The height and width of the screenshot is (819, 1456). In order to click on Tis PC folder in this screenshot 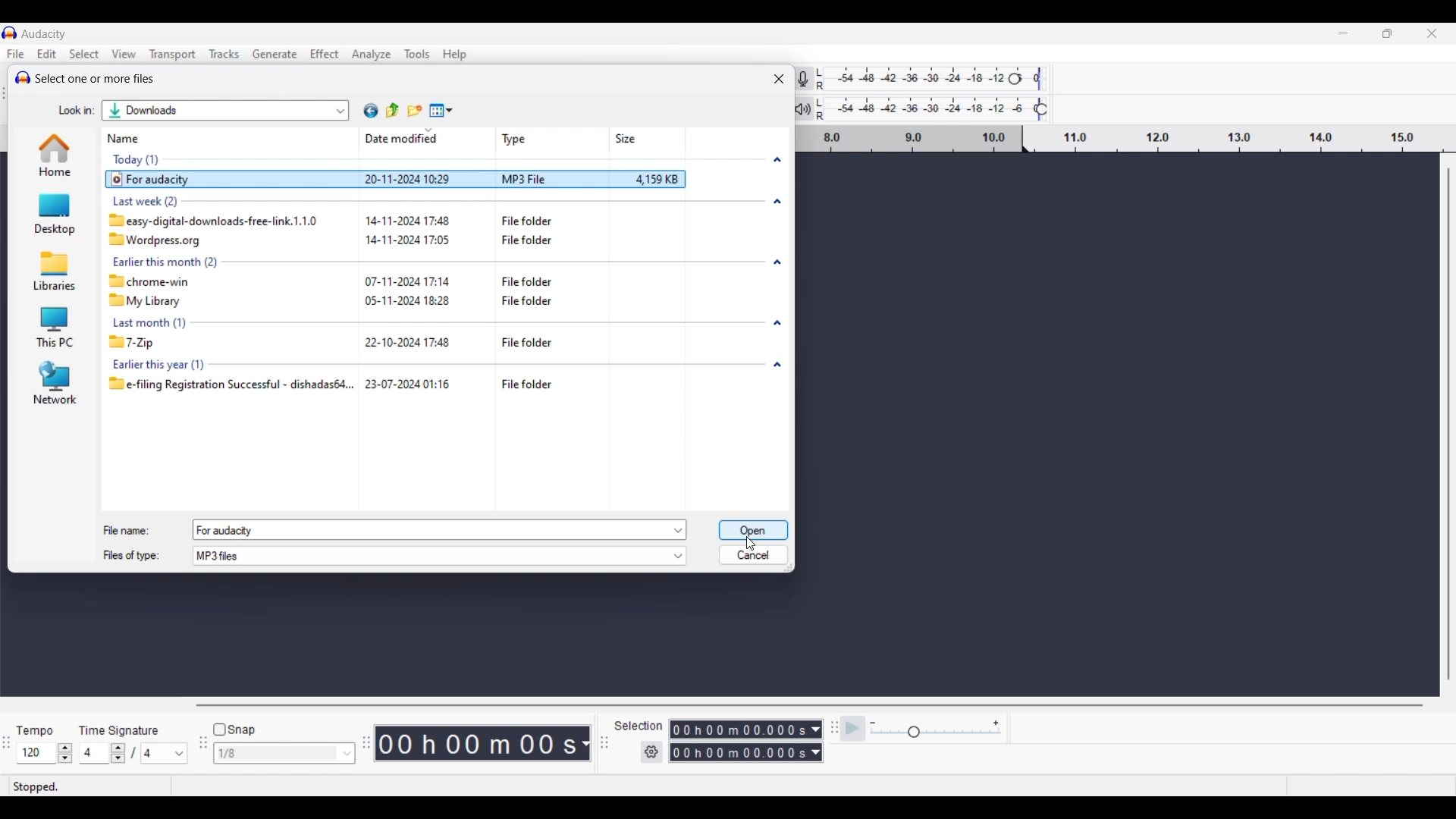, I will do `click(53, 328)`.